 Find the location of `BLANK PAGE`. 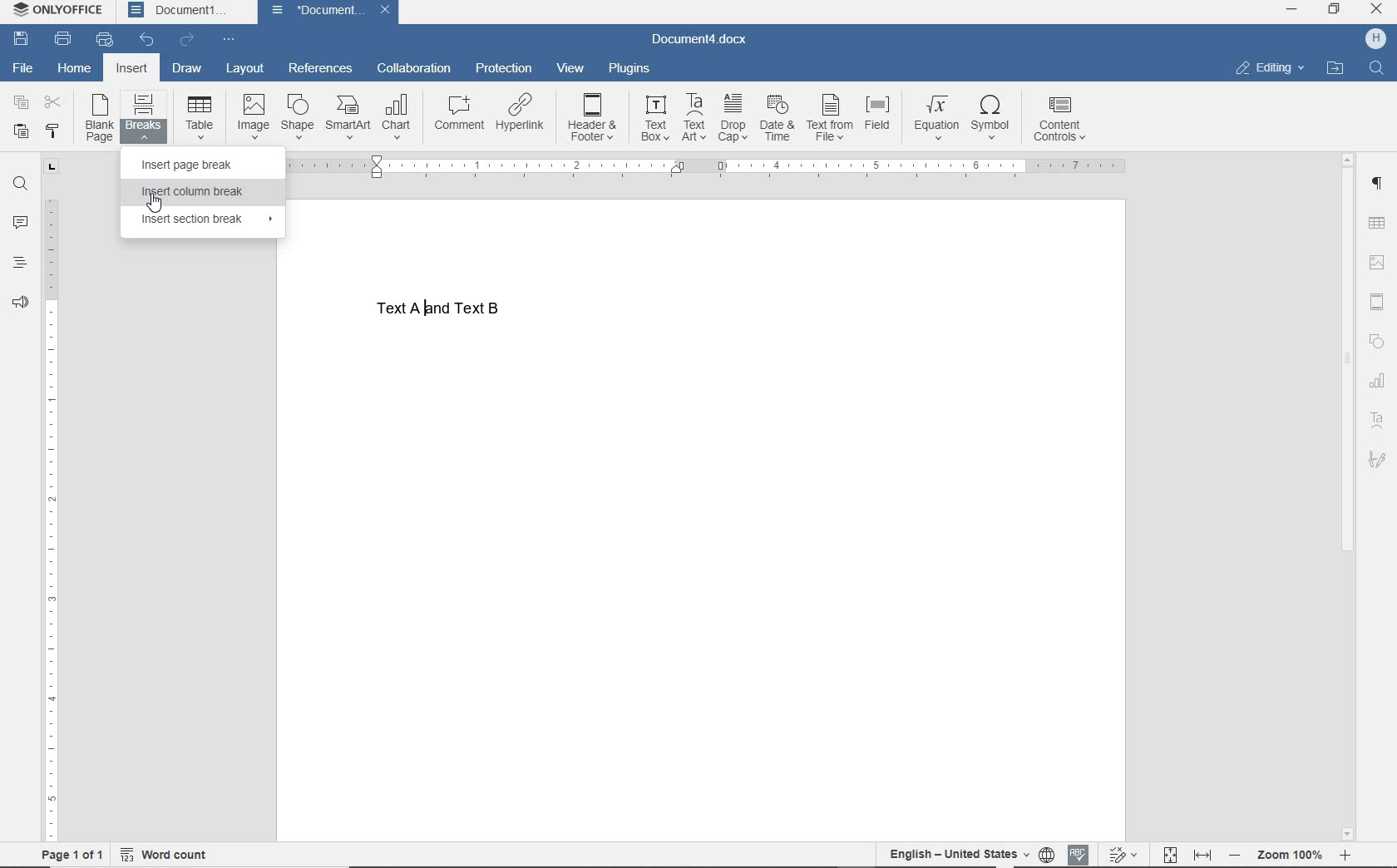

BLANK PAGE is located at coordinates (101, 119).